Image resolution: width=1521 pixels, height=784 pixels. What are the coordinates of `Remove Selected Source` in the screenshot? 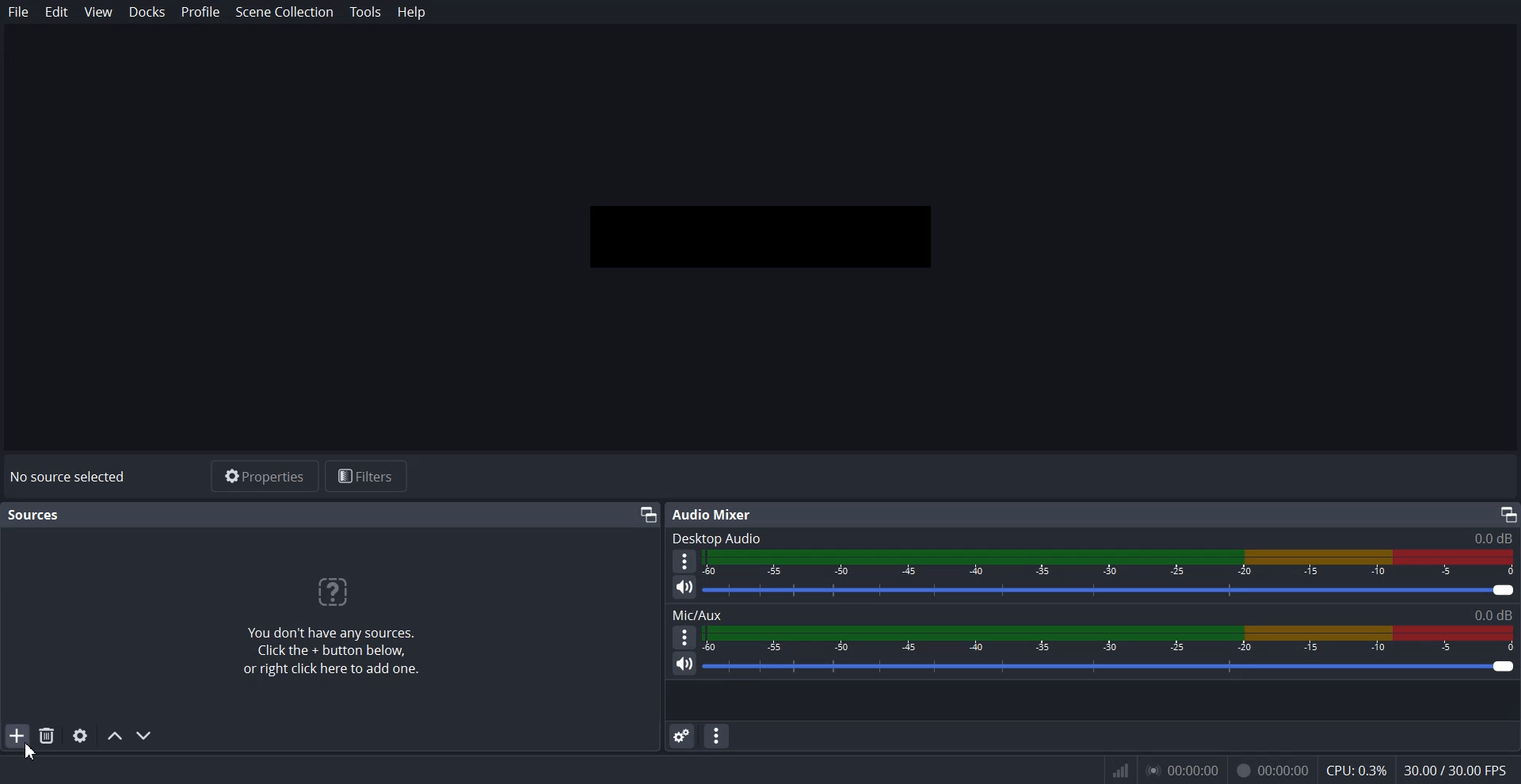 It's located at (47, 735).